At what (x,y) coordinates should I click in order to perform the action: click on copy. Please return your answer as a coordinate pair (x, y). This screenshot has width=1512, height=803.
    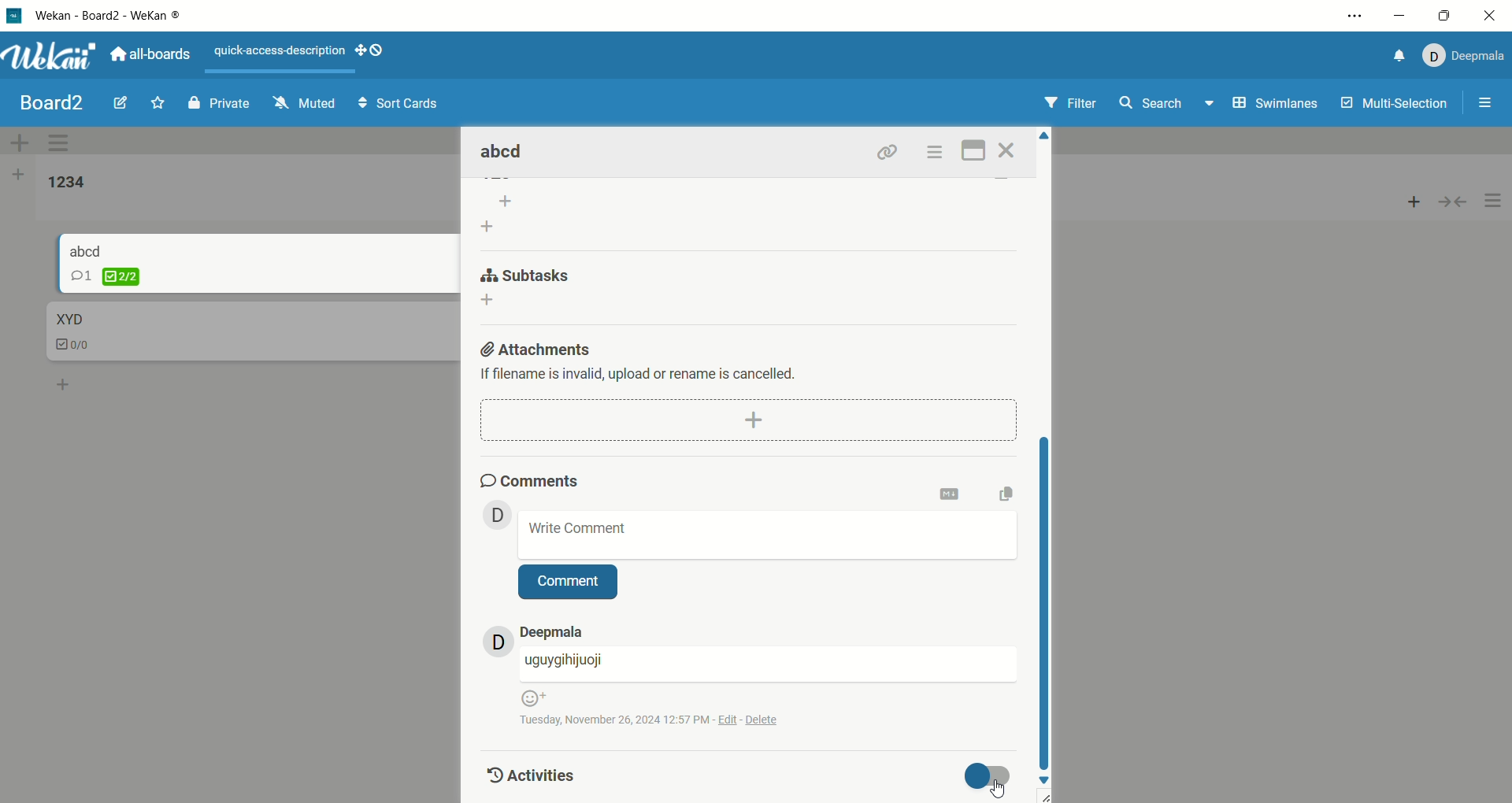
    Looking at the image, I should click on (1012, 493).